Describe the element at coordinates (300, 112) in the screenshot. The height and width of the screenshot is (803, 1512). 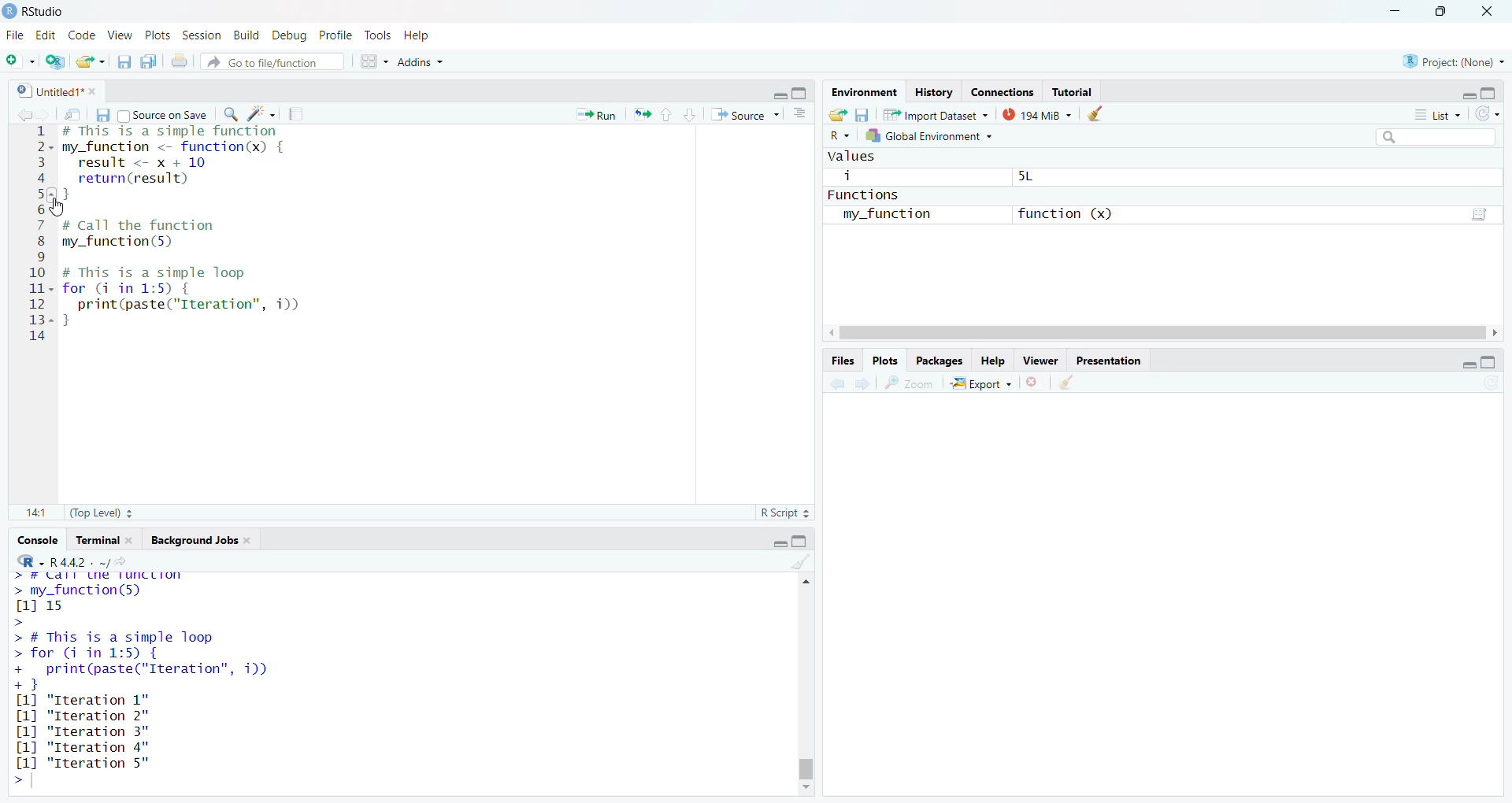
I see `compile report` at that location.